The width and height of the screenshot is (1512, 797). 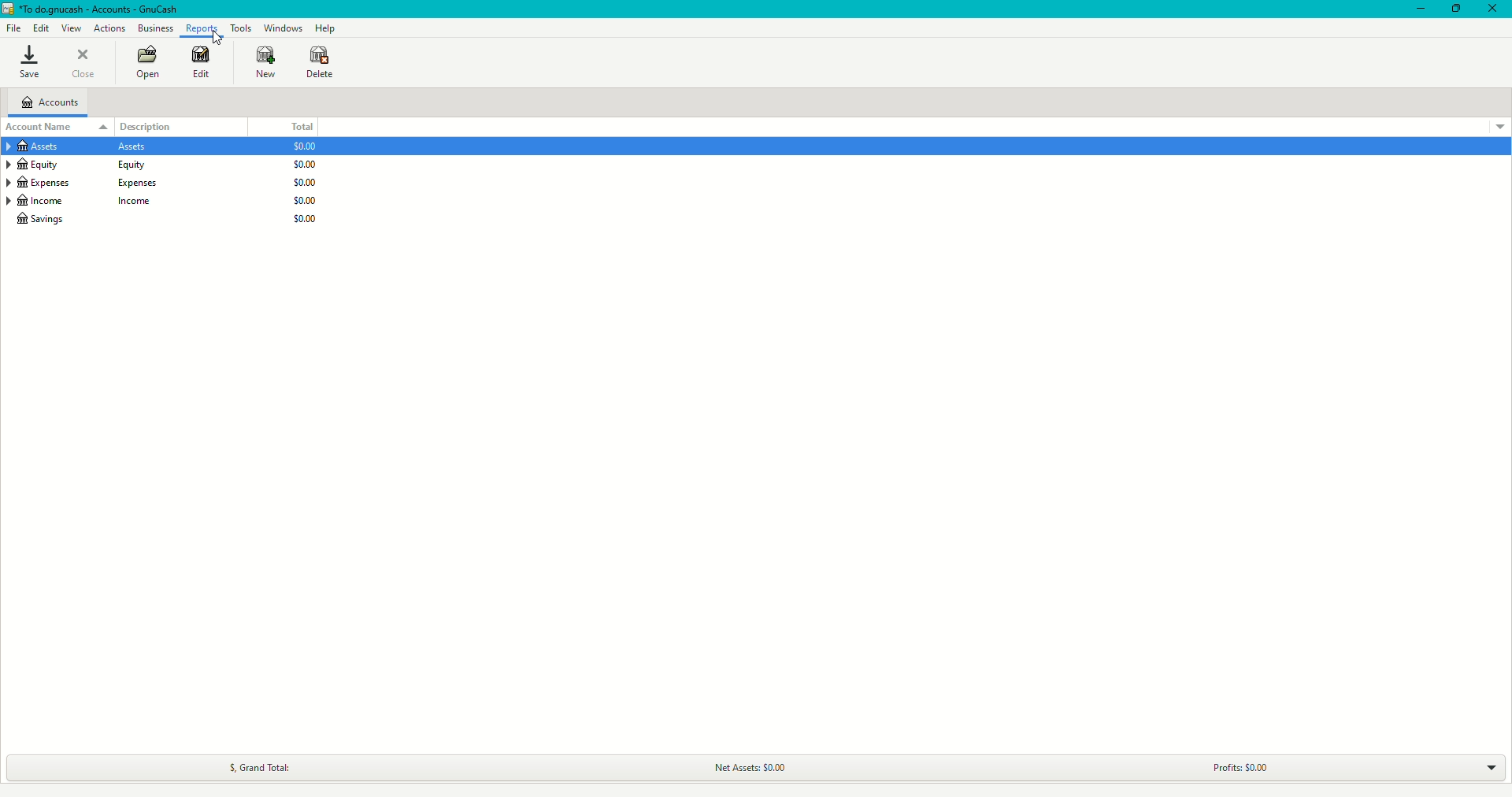 I want to click on $0.00, so click(x=306, y=182).